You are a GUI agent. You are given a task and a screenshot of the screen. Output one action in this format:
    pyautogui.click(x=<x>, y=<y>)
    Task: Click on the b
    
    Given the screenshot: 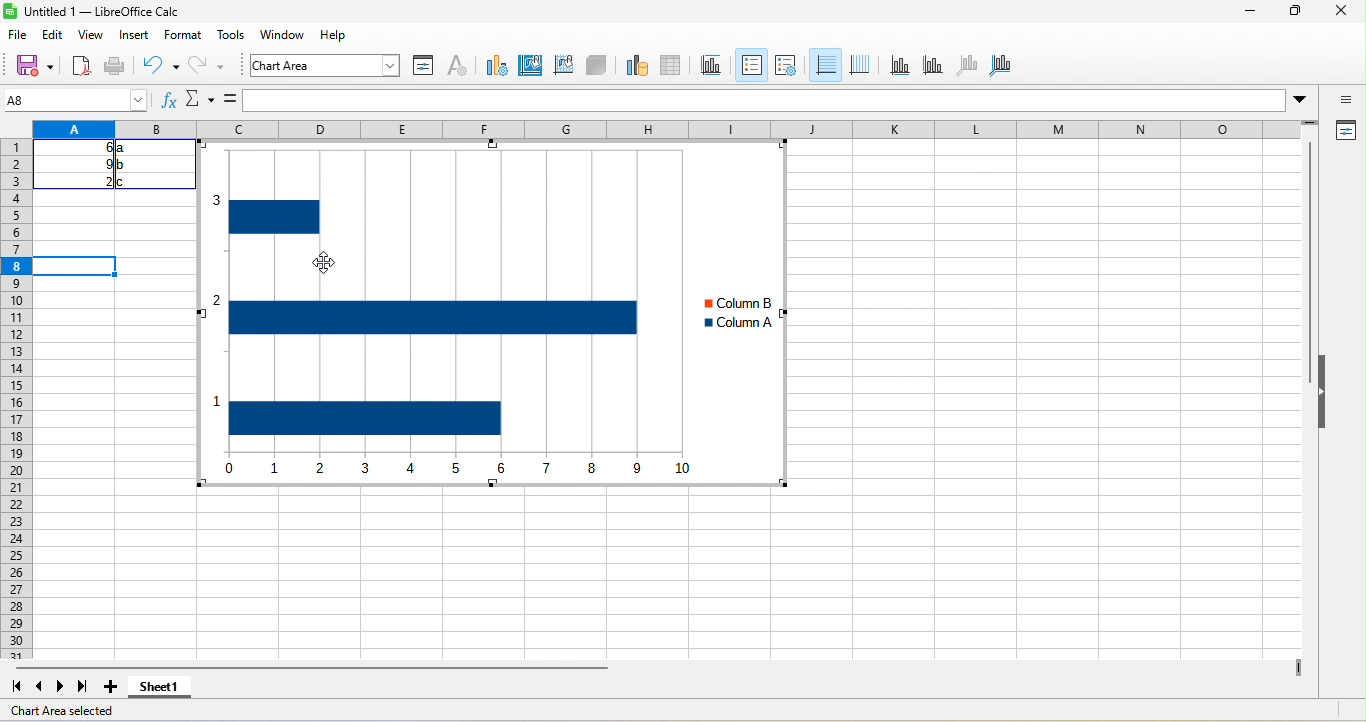 What is the action you would take?
    pyautogui.click(x=123, y=166)
    